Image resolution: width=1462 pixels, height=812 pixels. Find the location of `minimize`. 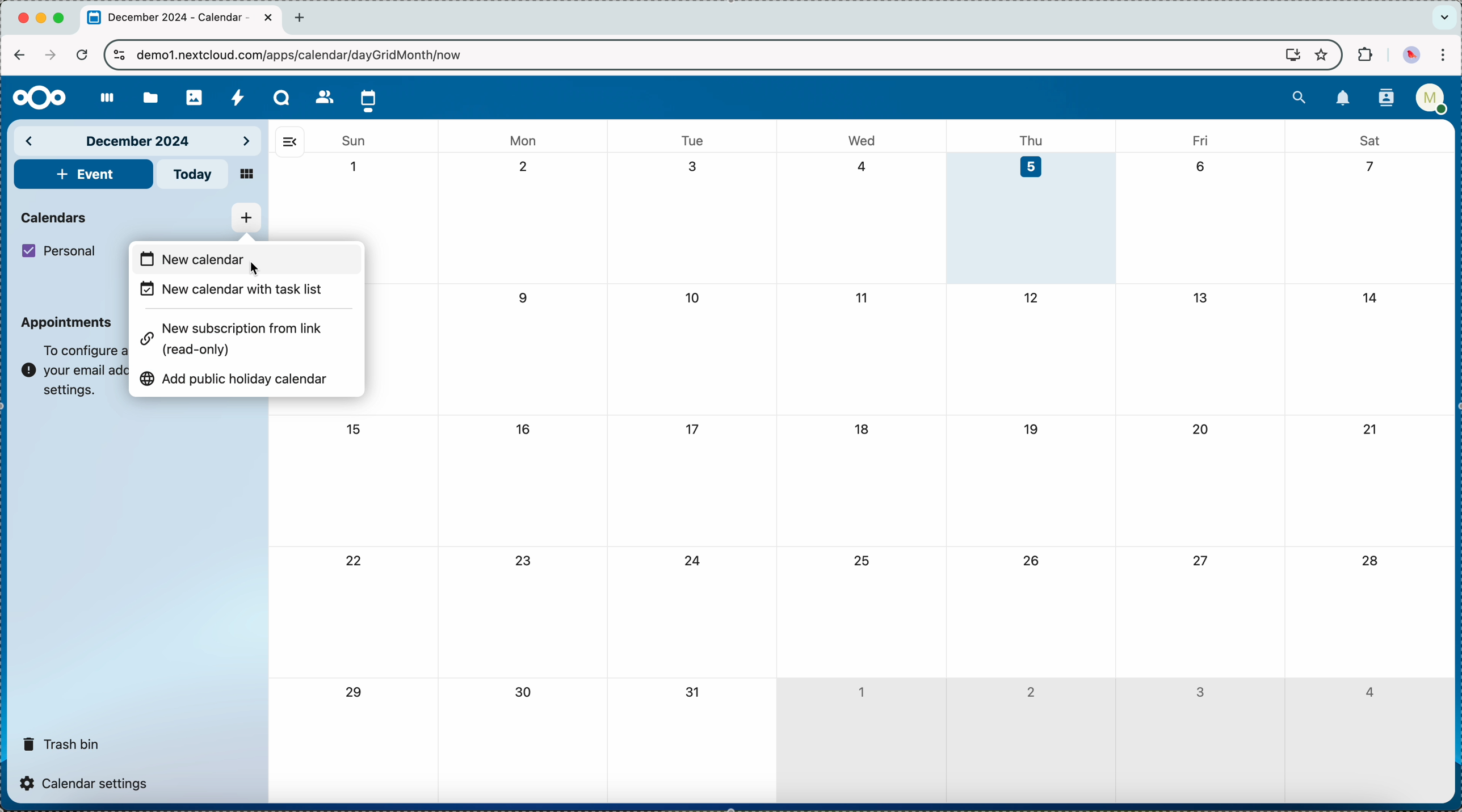

minimize is located at coordinates (43, 19).